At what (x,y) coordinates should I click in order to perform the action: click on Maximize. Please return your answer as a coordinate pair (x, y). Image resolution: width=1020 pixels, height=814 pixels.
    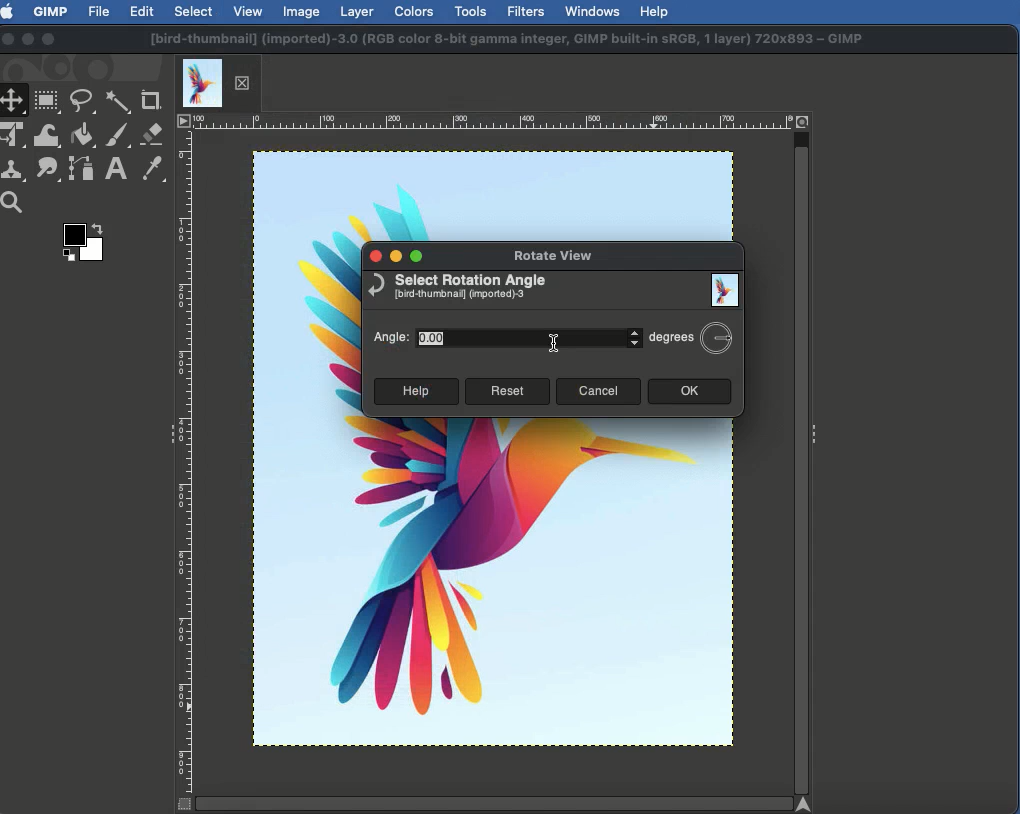
    Looking at the image, I should click on (420, 255).